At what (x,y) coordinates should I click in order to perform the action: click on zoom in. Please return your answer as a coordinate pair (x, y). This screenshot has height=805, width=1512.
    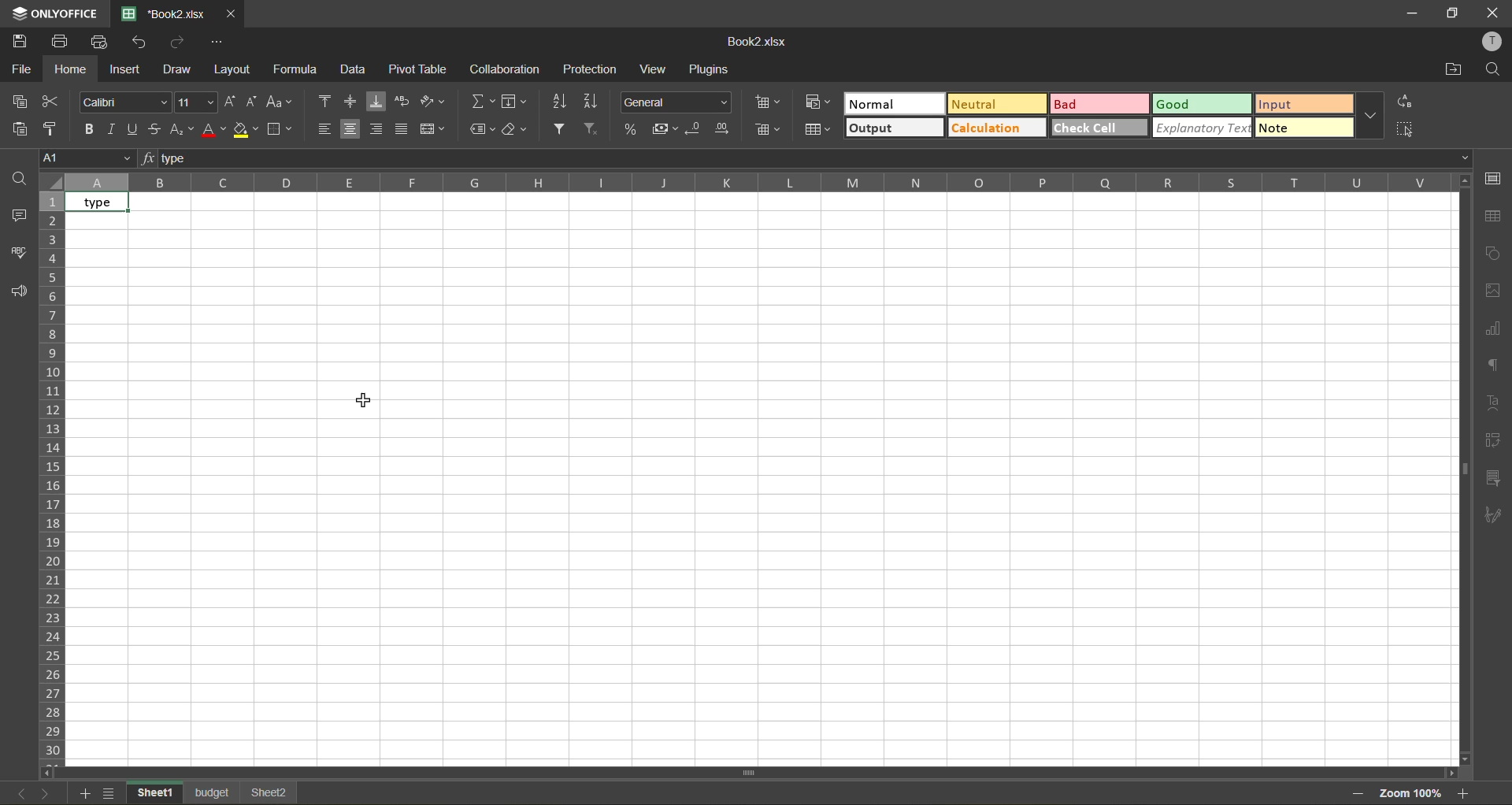
    Looking at the image, I should click on (1464, 796).